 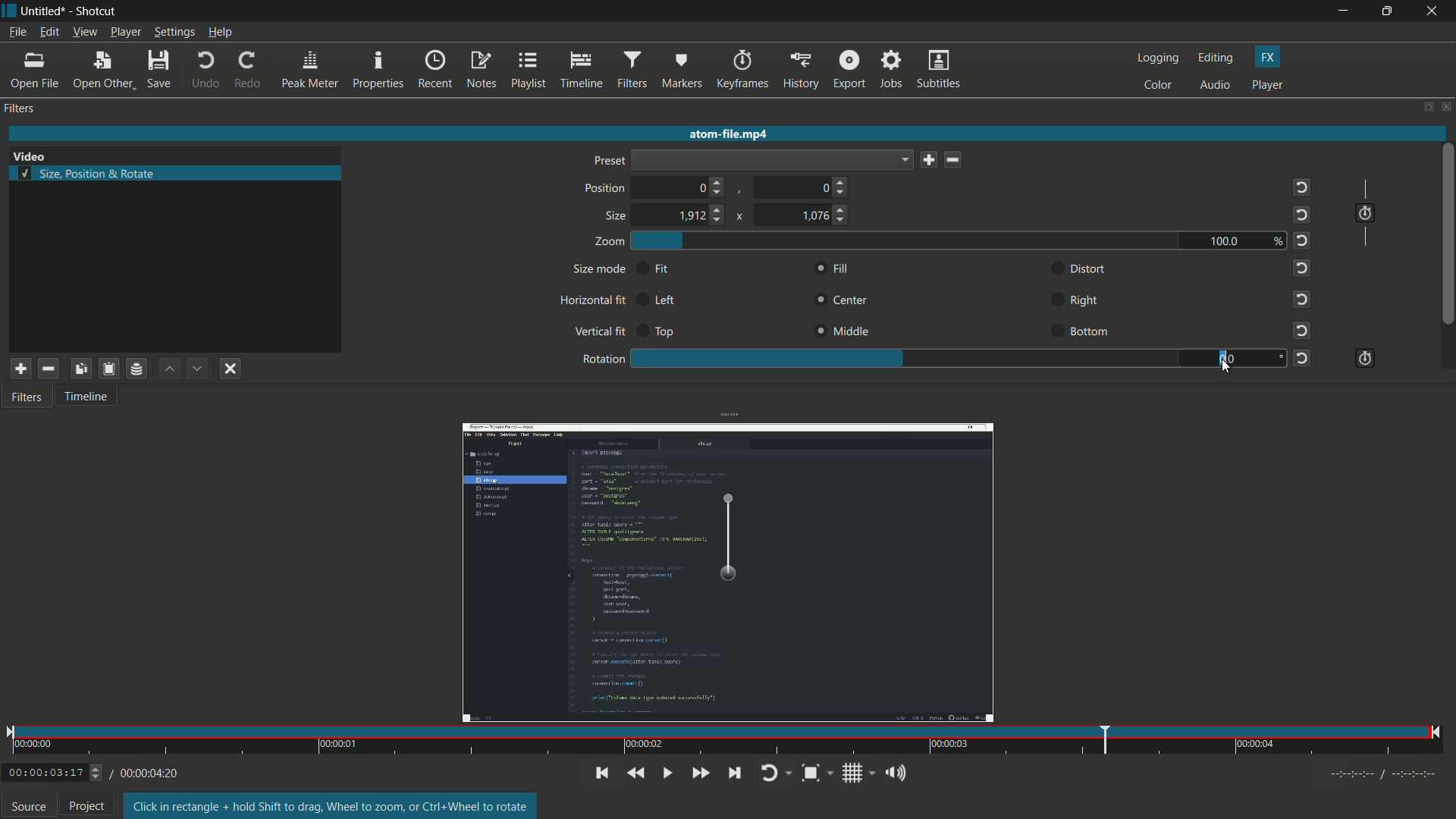 What do you see at coordinates (1303, 357) in the screenshot?
I see `reset to default` at bounding box center [1303, 357].